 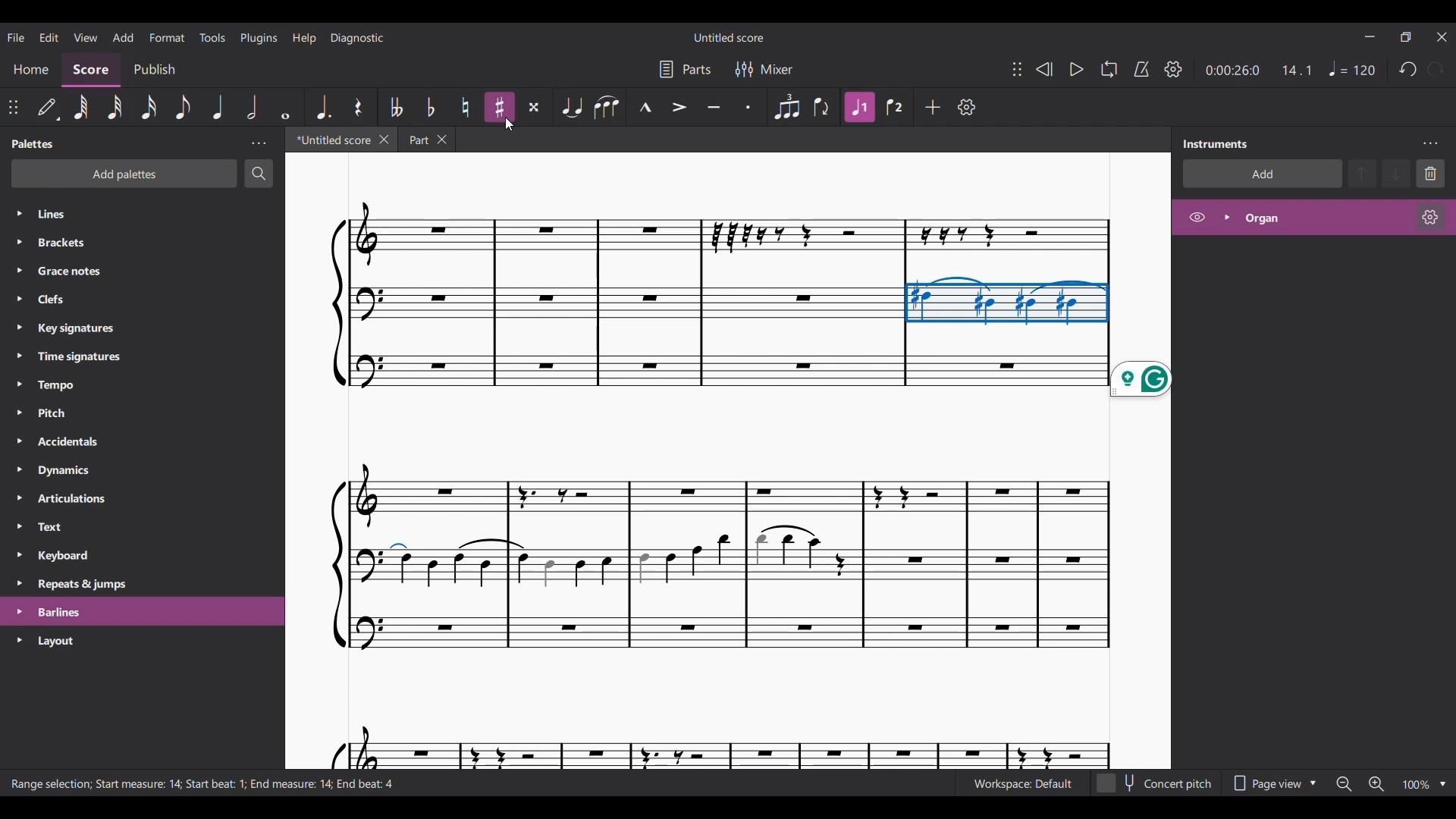 I want to click on Whole note, so click(x=286, y=107).